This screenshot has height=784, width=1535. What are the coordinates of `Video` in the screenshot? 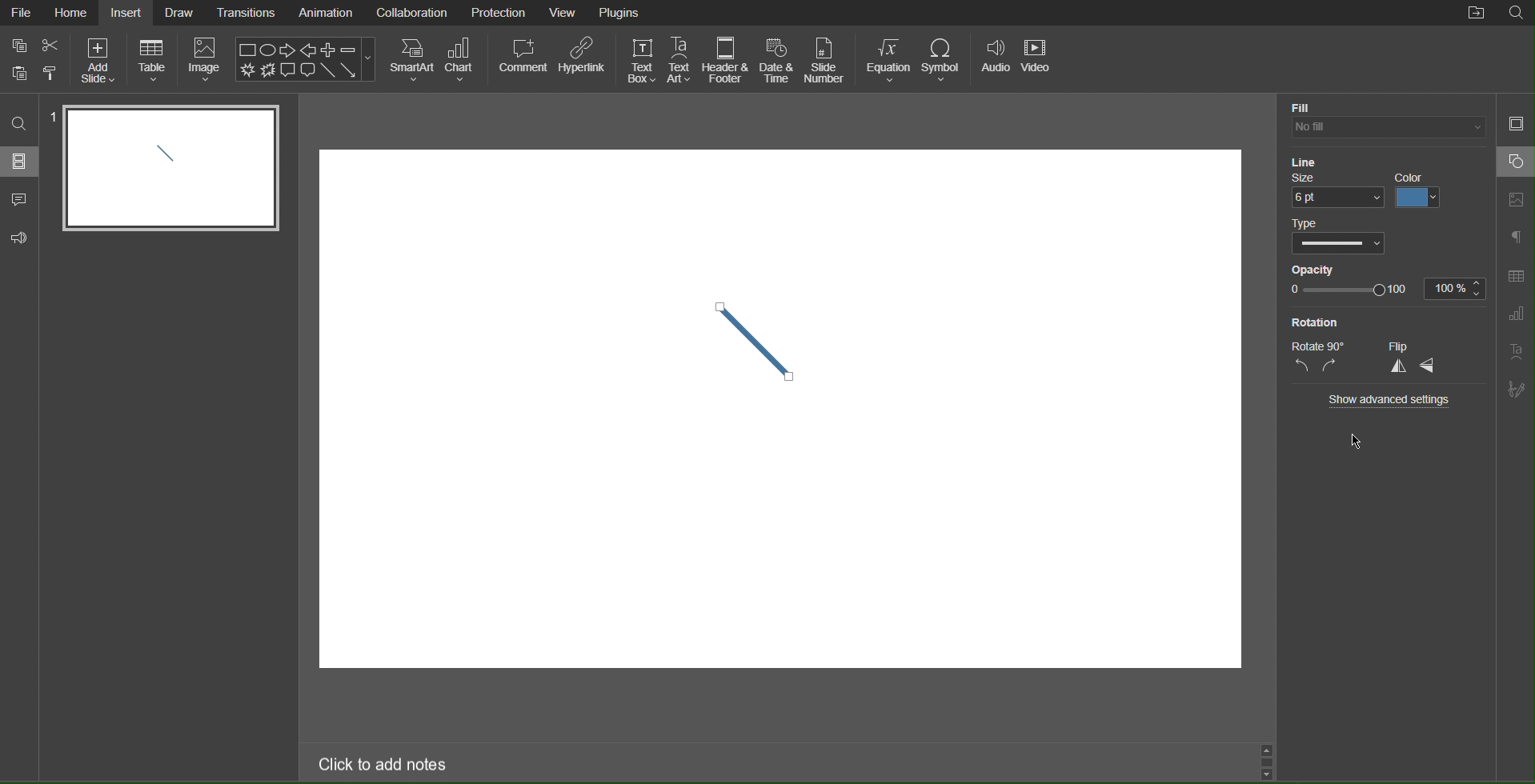 It's located at (1040, 59).